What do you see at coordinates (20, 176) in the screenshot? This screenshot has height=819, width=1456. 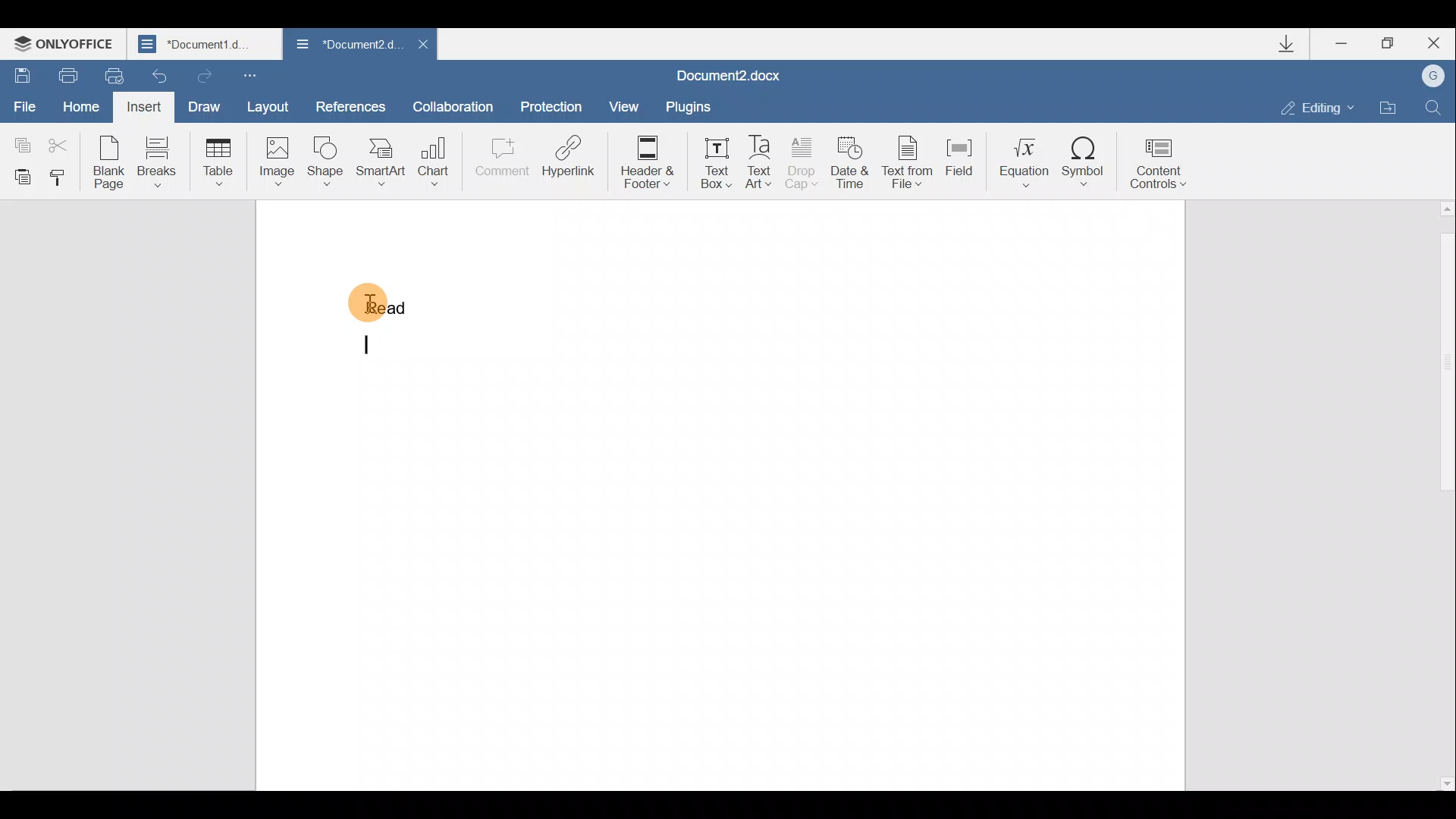 I see `Paste` at bounding box center [20, 176].